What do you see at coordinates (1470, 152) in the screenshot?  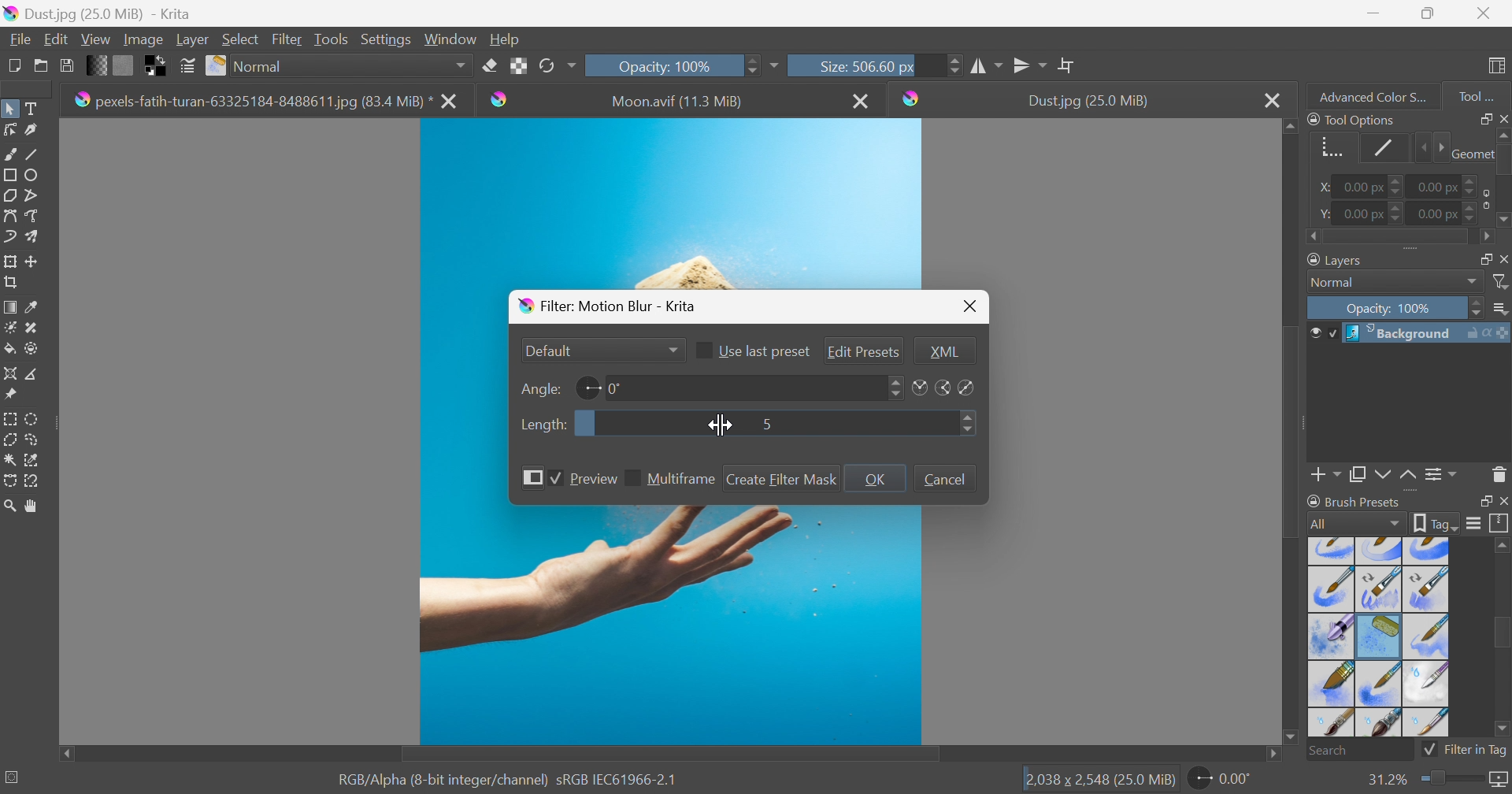 I see `Geometry` at bounding box center [1470, 152].